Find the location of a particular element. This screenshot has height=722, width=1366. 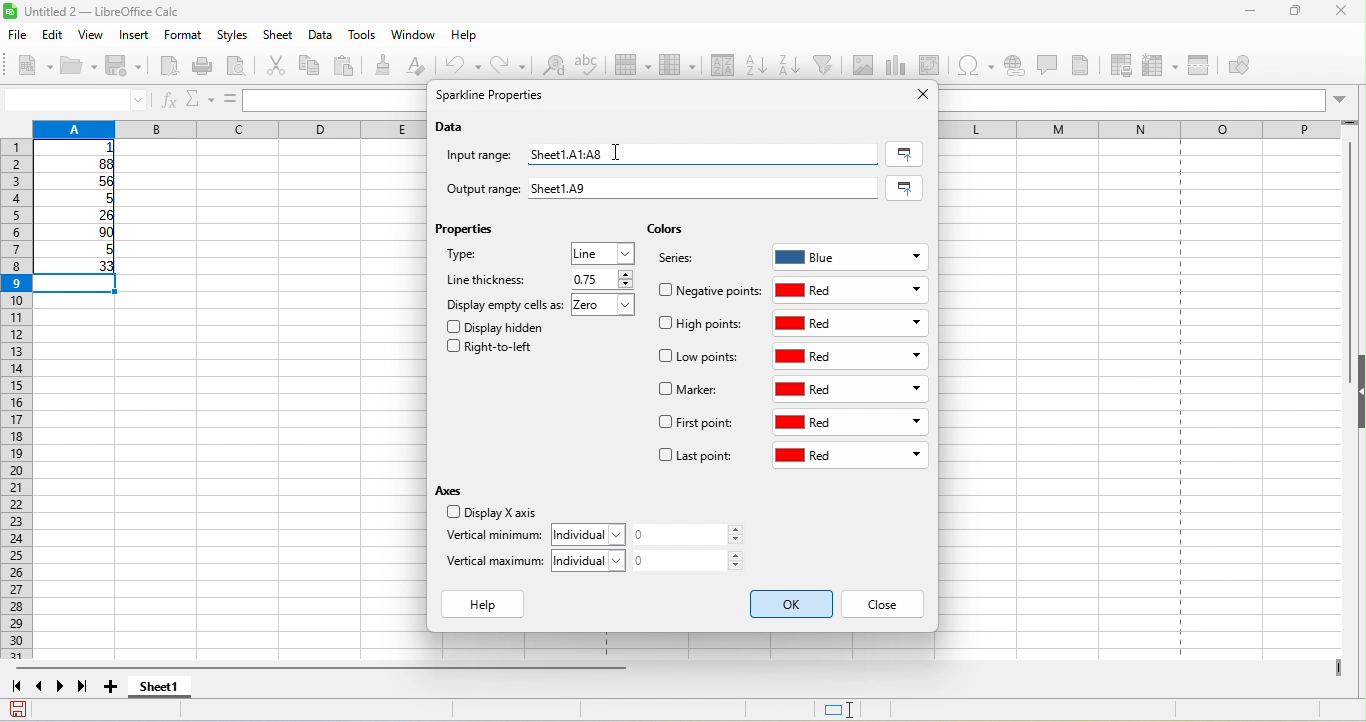

paste is located at coordinates (349, 67).